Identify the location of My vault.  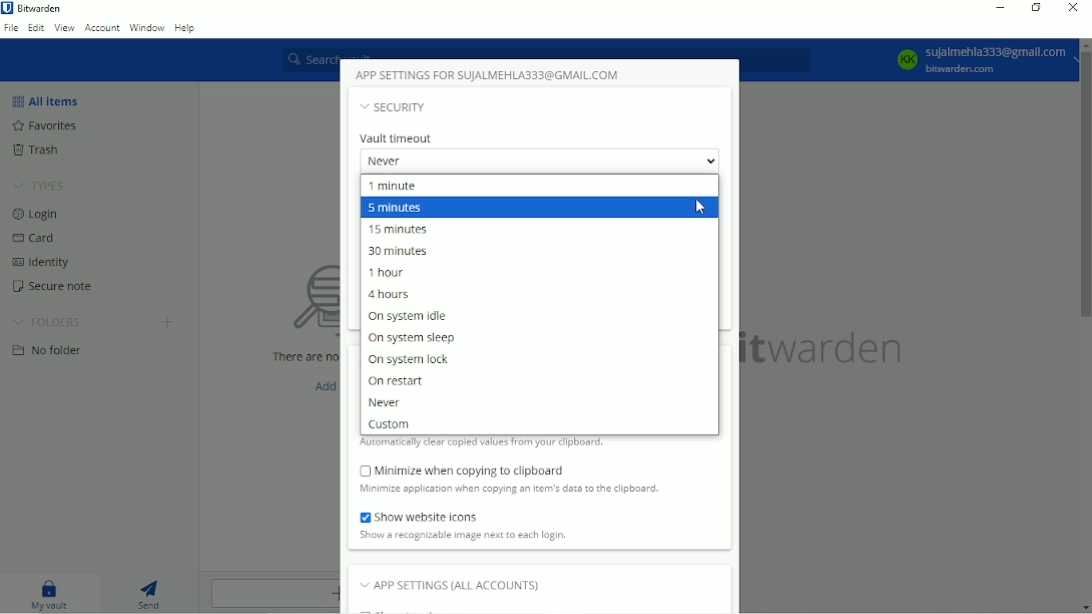
(44, 593).